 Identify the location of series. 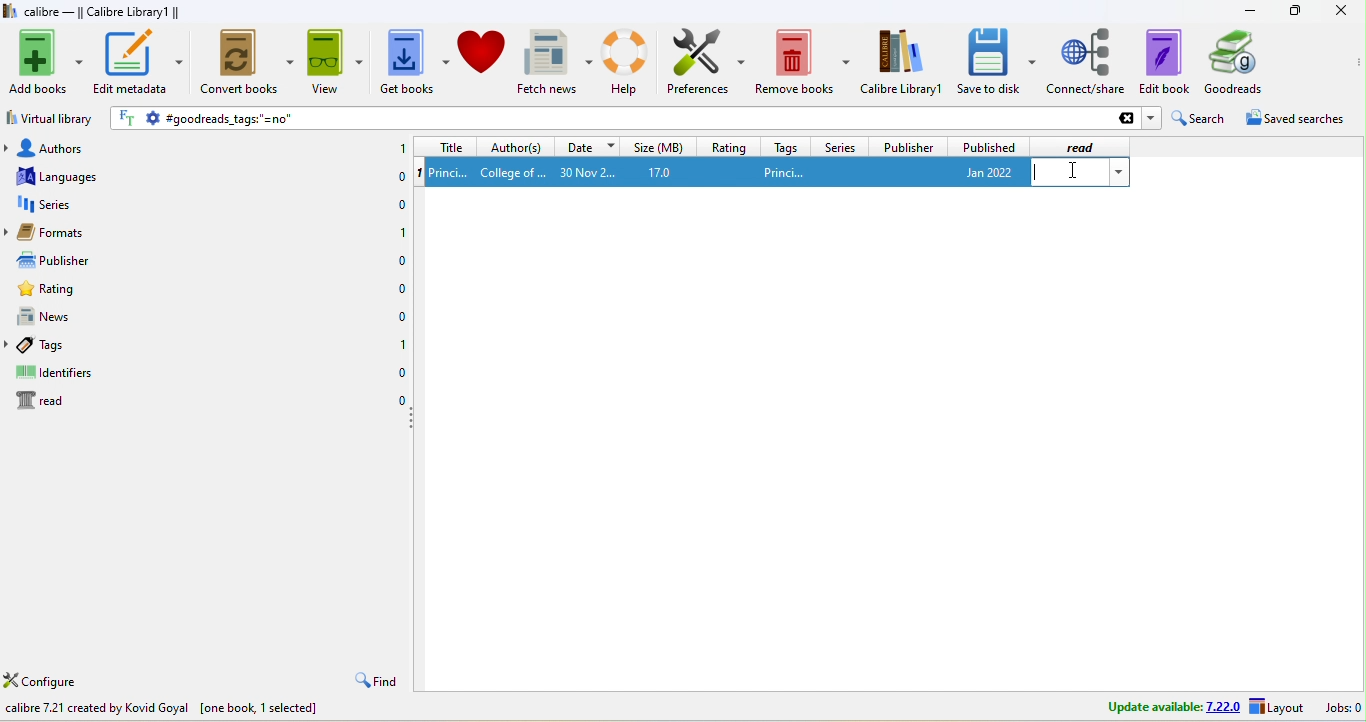
(56, 207).